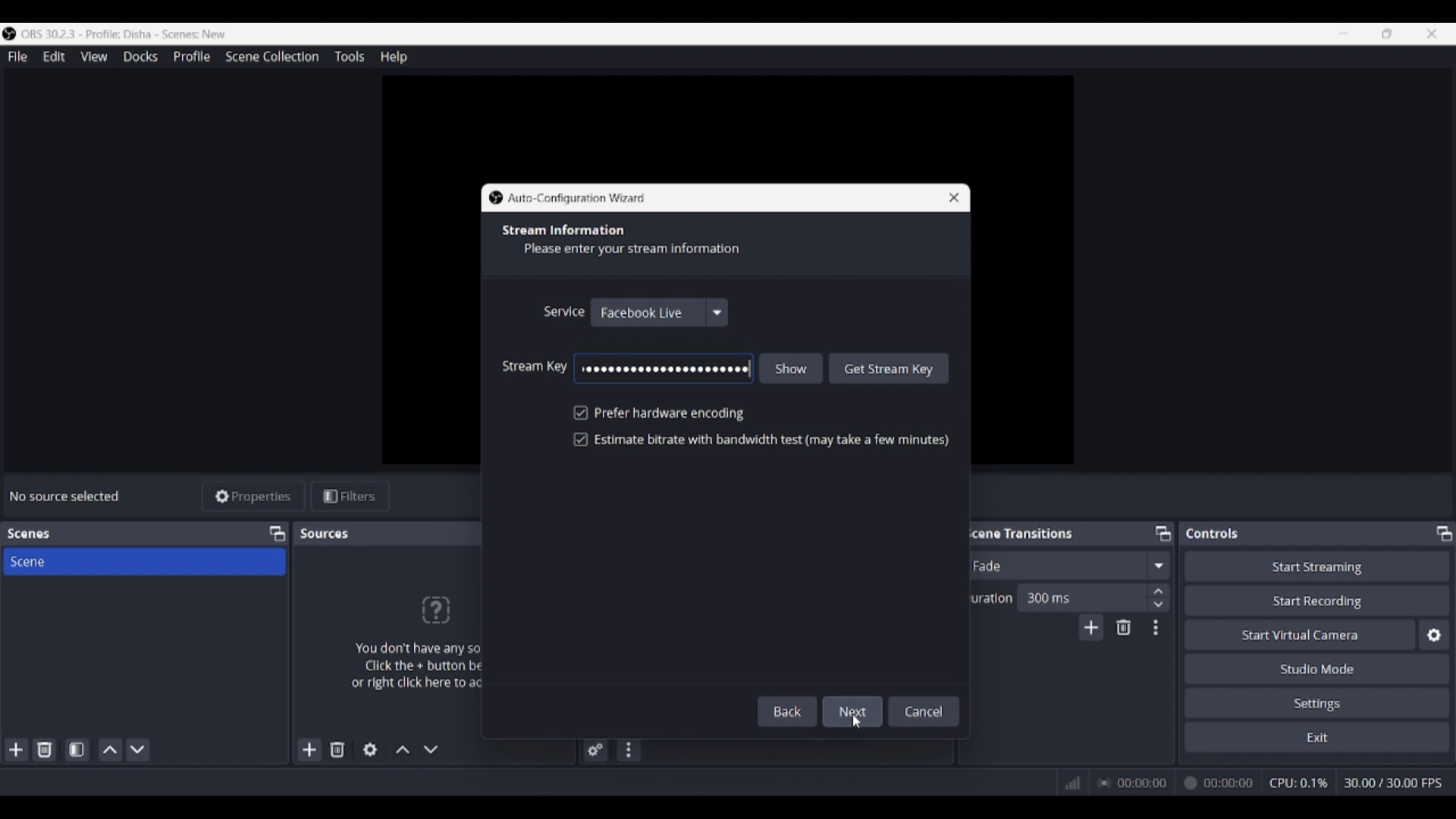 Image resolution: width=1456 pixels, height=819 pixels. What do you see at coordinates (192, 57) in the screenshot?
I see `Profile menu, highlighted by cursor` at bounding box center [192, 57].